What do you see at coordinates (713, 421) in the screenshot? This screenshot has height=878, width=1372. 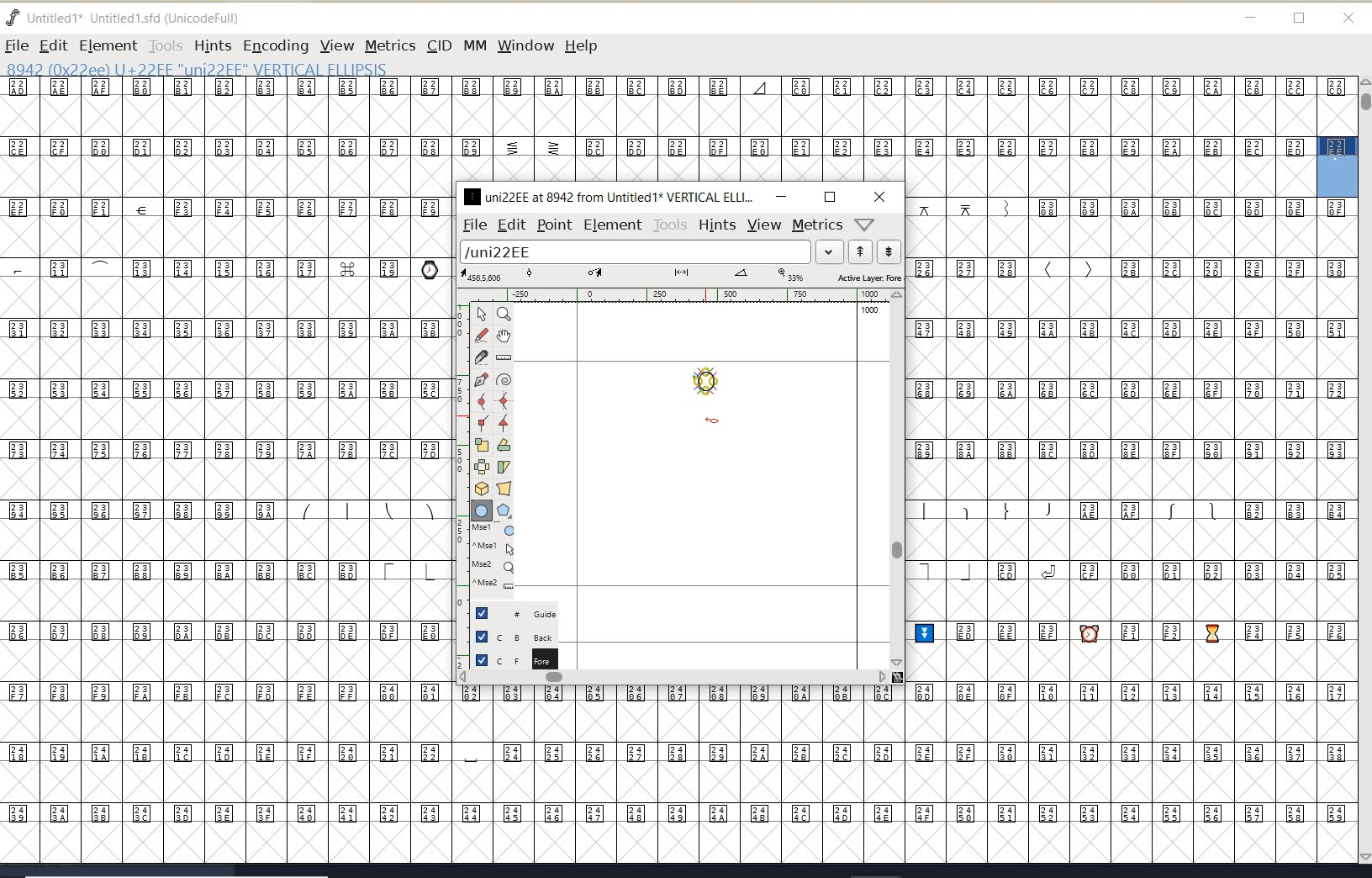 I see `ellipse tool` at bounding box center [713, 421].